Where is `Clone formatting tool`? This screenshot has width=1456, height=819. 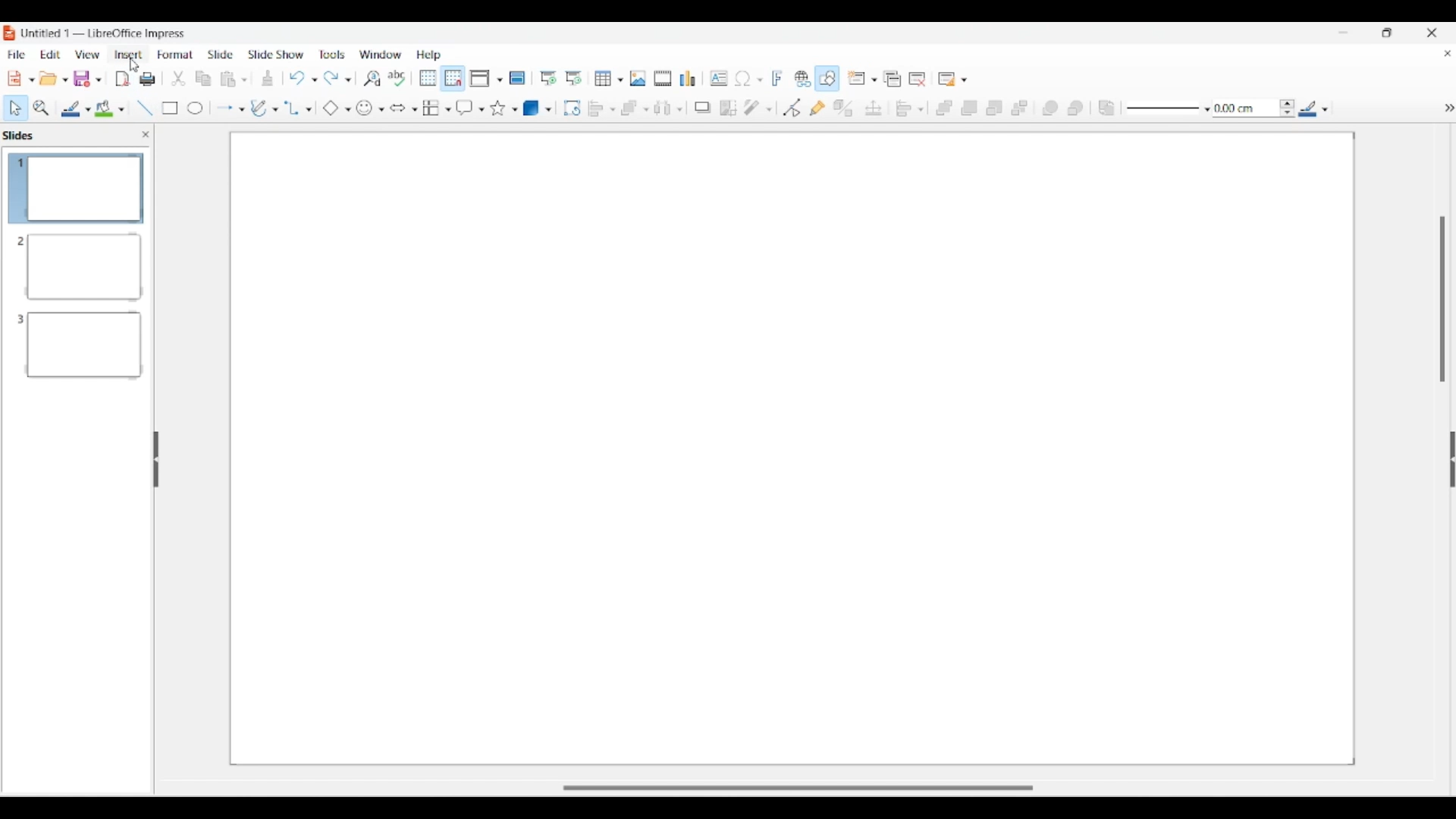 Clone formatting tool is located at coordinates (268, 78).